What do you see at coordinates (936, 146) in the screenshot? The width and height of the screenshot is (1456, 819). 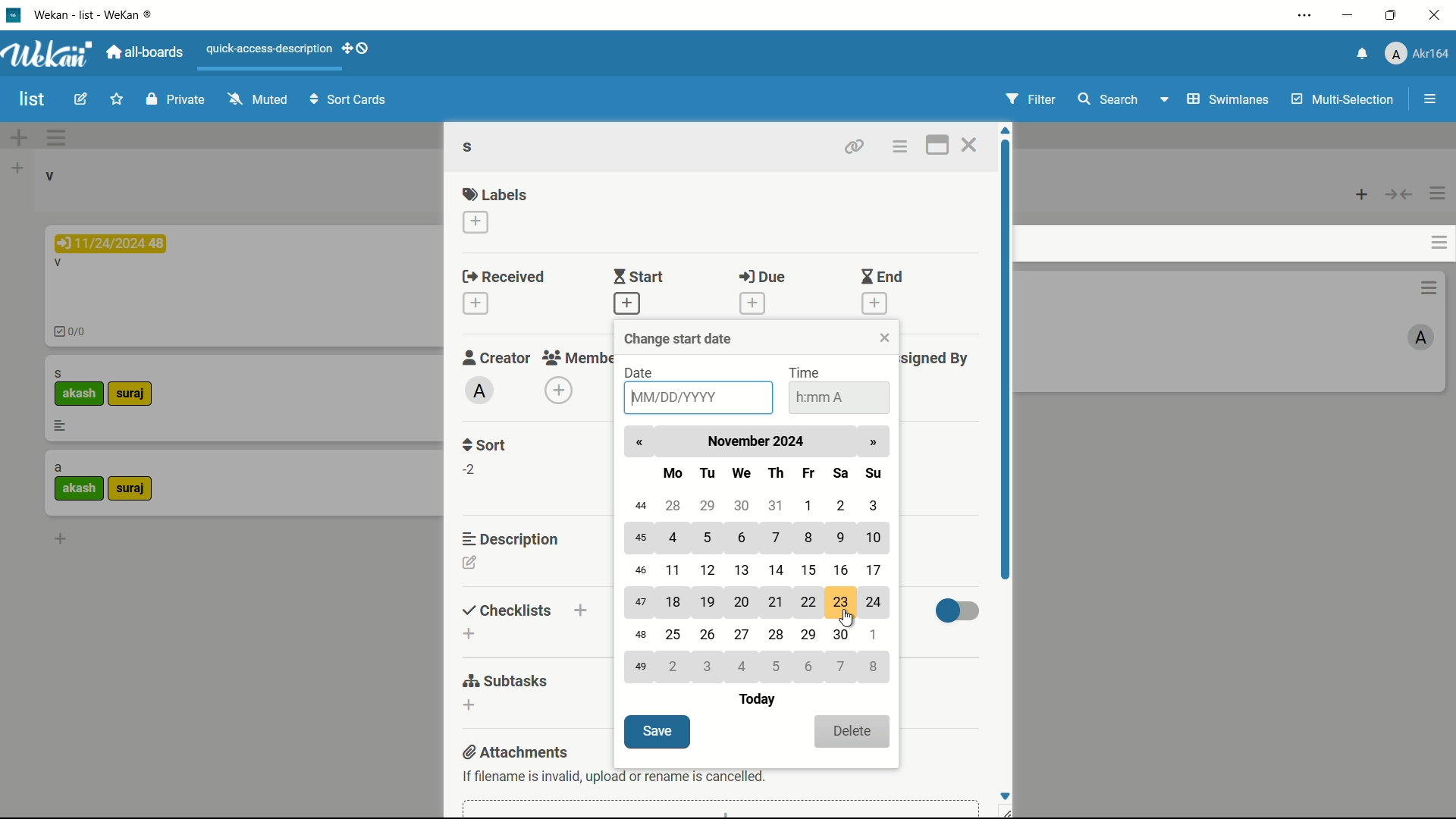 I see `maximize card` at bounding box center [936, 146].